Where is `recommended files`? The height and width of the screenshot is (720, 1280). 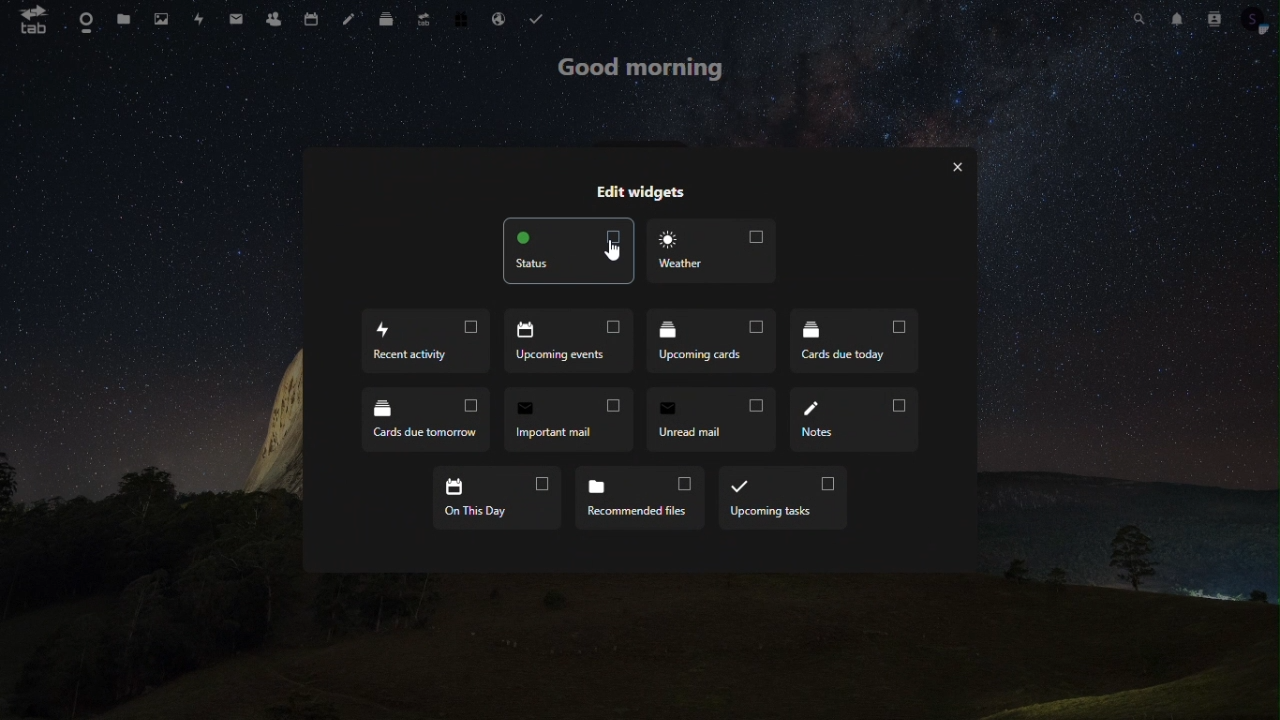 recommended files is located at coordinates (644, 498).